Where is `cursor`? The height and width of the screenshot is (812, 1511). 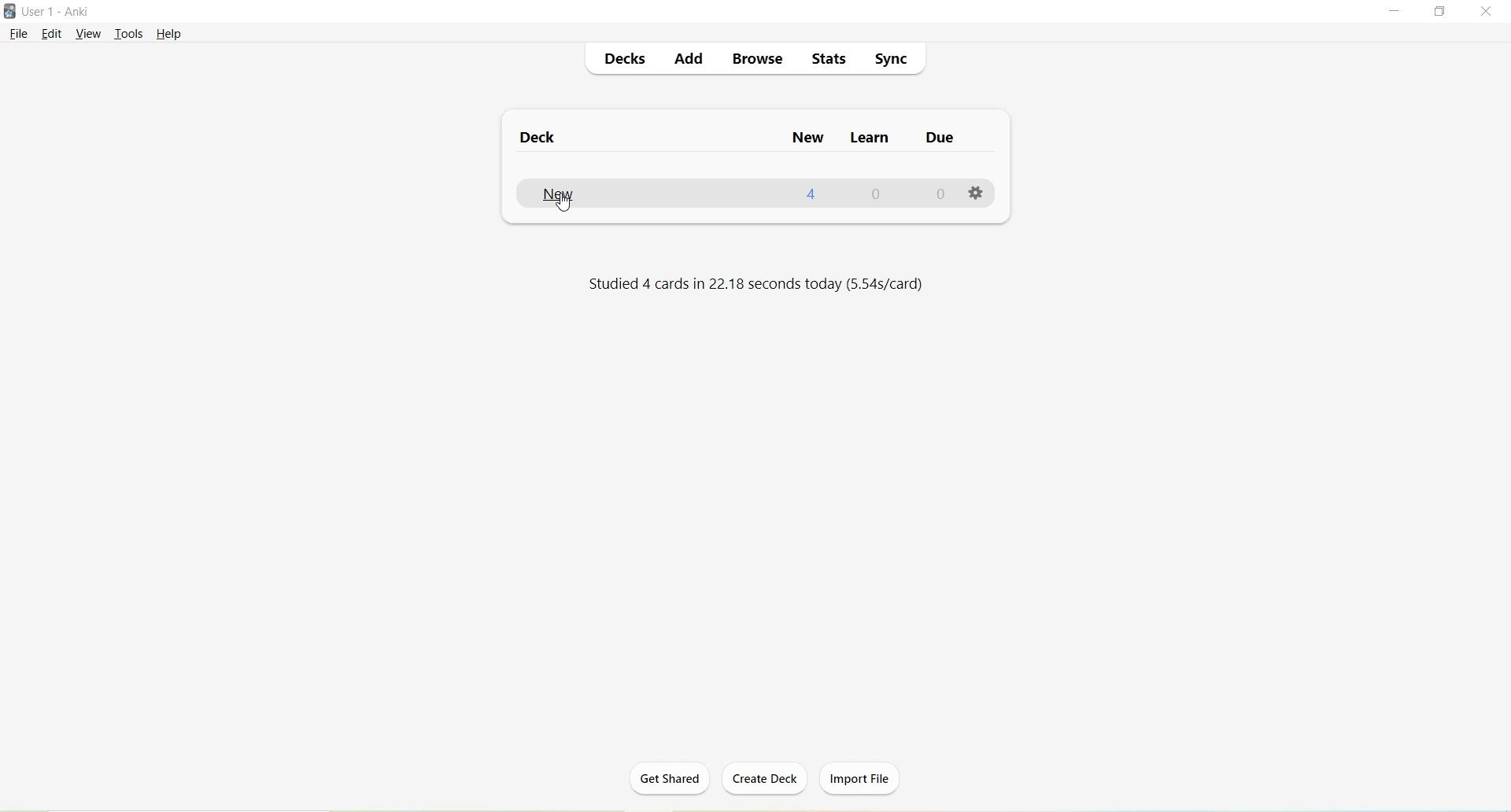 cursor is located at coordinates (566, 205).